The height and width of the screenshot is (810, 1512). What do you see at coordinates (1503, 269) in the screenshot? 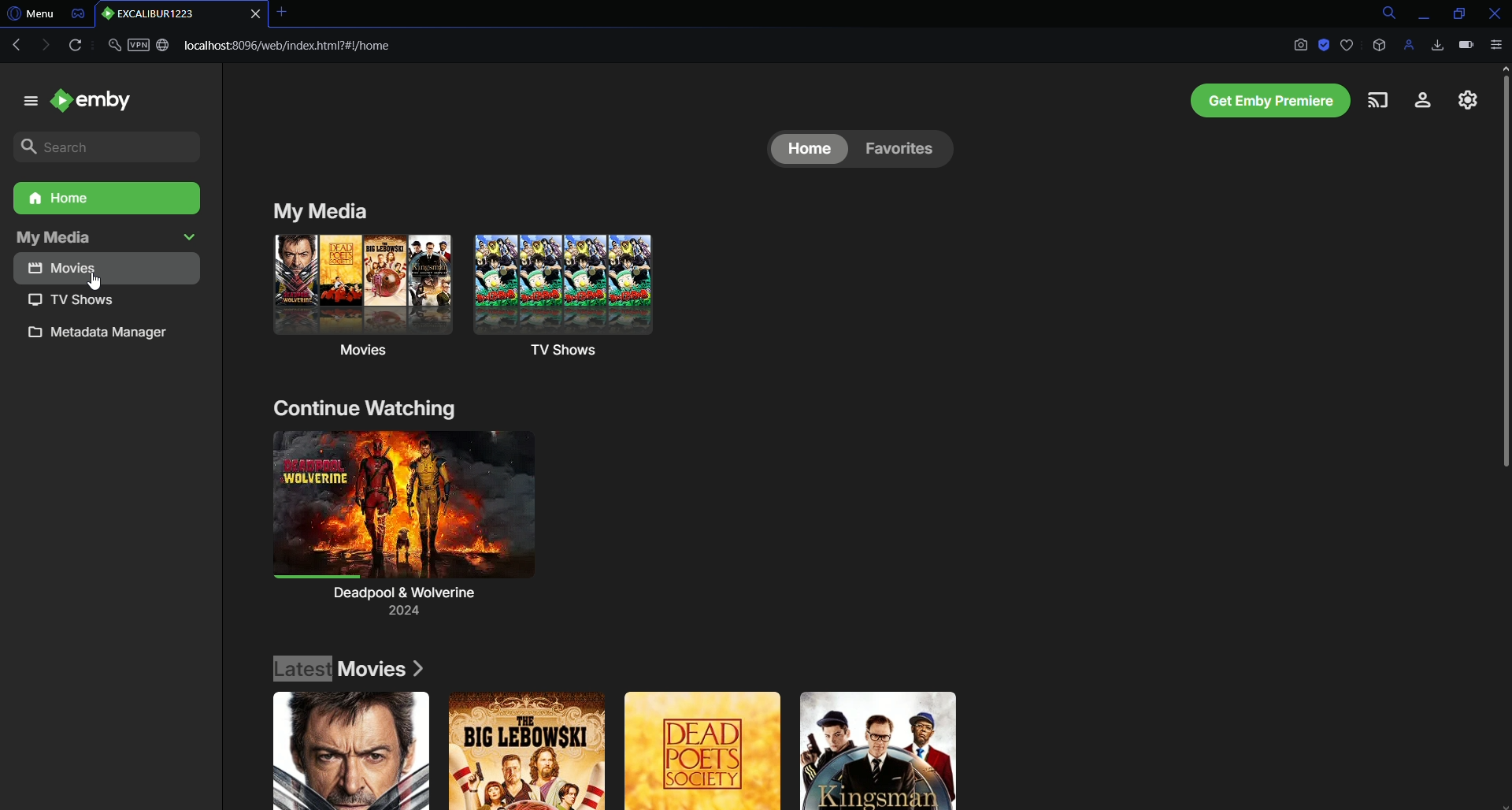
I see `Scroll` at bounding box center [1503, 269].